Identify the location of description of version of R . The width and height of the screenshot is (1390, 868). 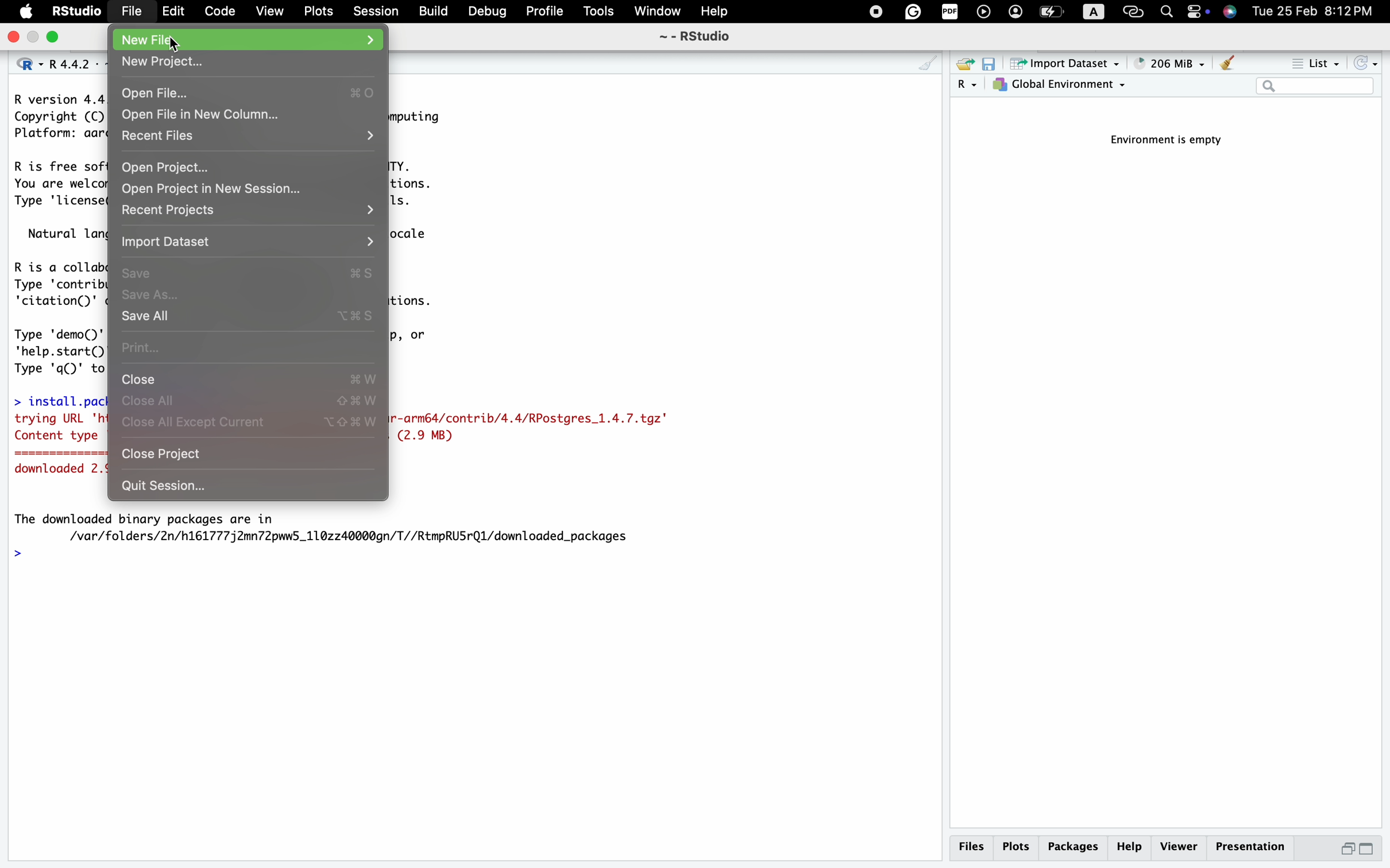
(54, 116).